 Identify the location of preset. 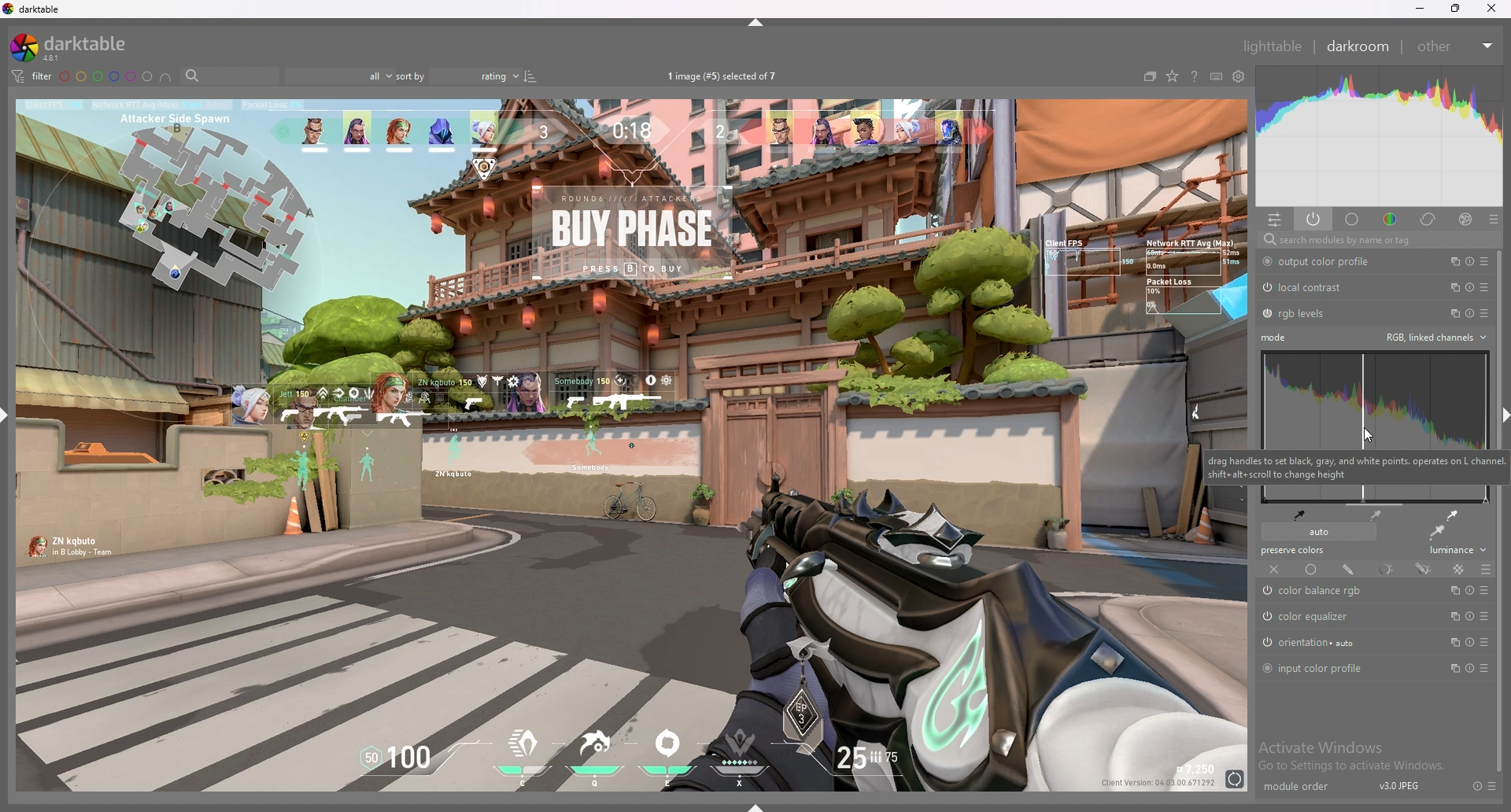
(1485, 642).